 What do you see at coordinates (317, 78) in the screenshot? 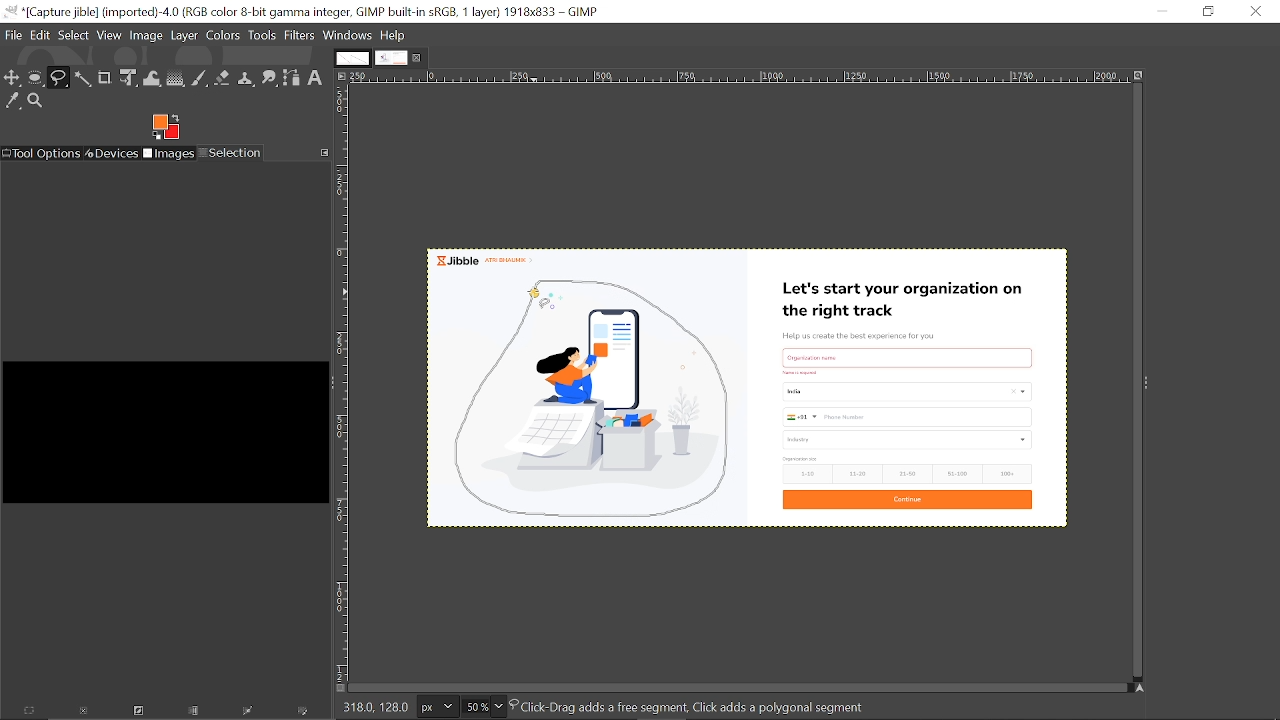
I see `Text tool` at bounding box center [317, 78].